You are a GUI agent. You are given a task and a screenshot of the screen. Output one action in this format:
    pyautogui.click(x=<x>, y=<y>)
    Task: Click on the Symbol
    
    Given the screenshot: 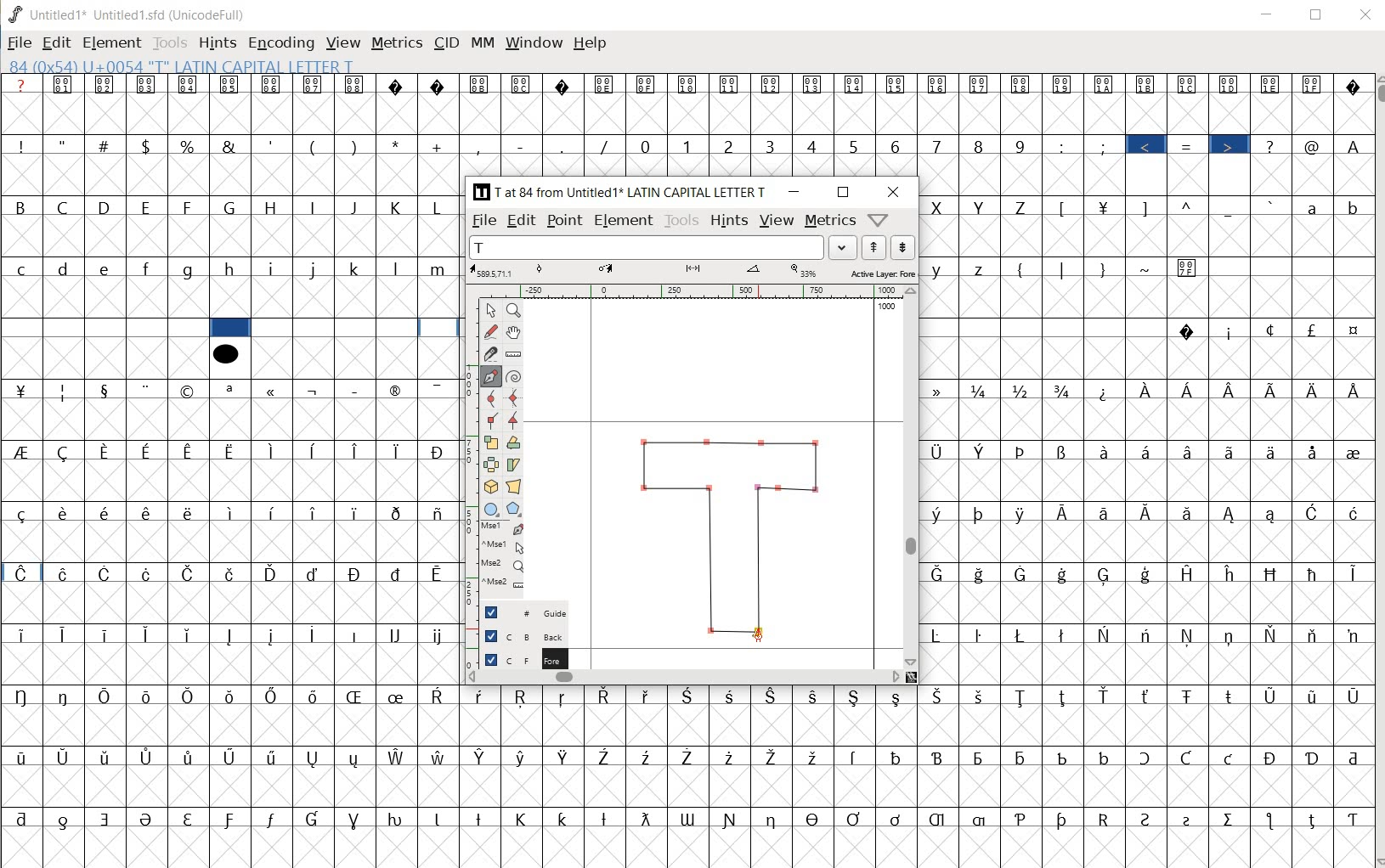 What is the action you would take?
    pyautogui.click(x=1064, y=634)
    